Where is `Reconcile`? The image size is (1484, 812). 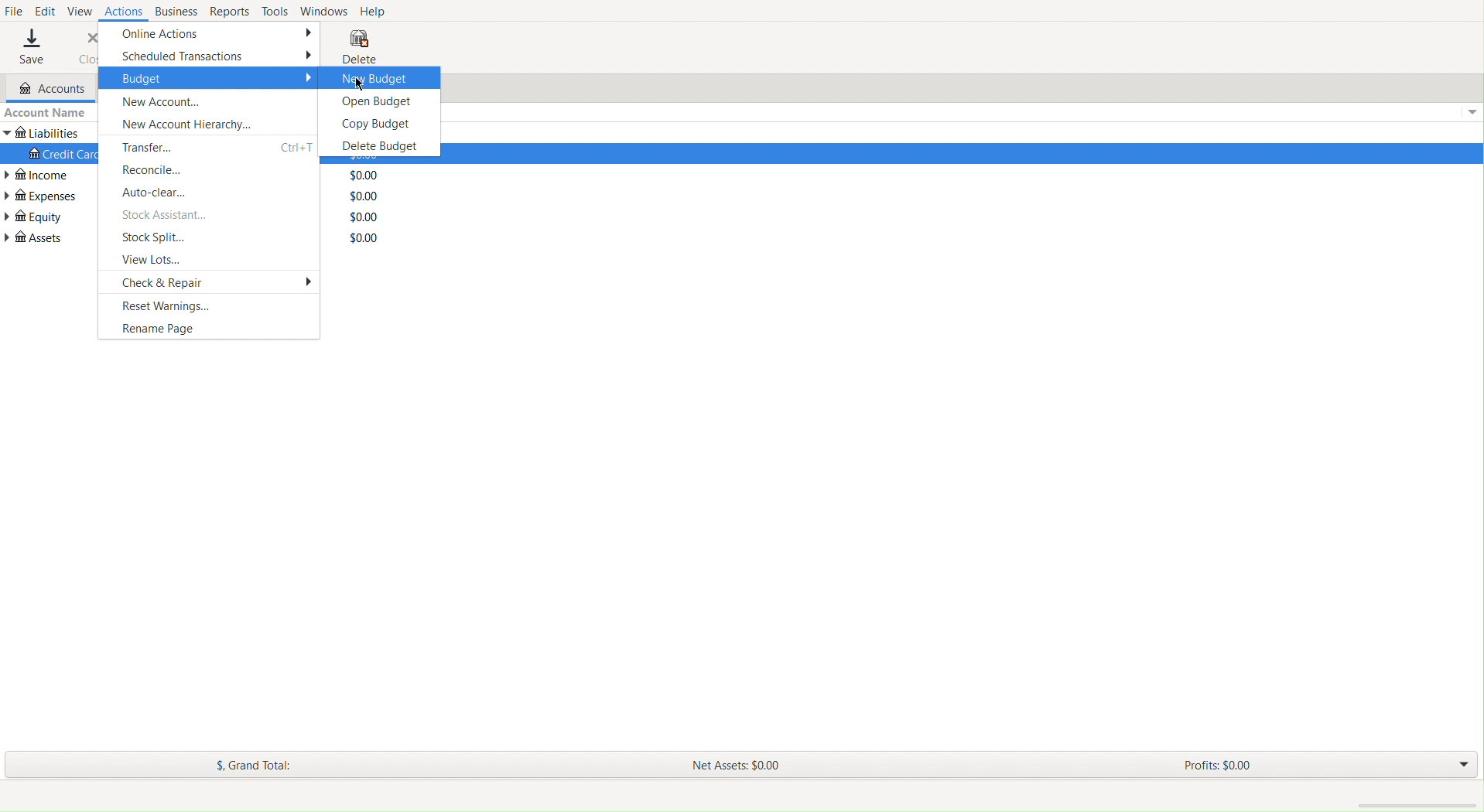 Reconcile is located at coordinates (156, 168).